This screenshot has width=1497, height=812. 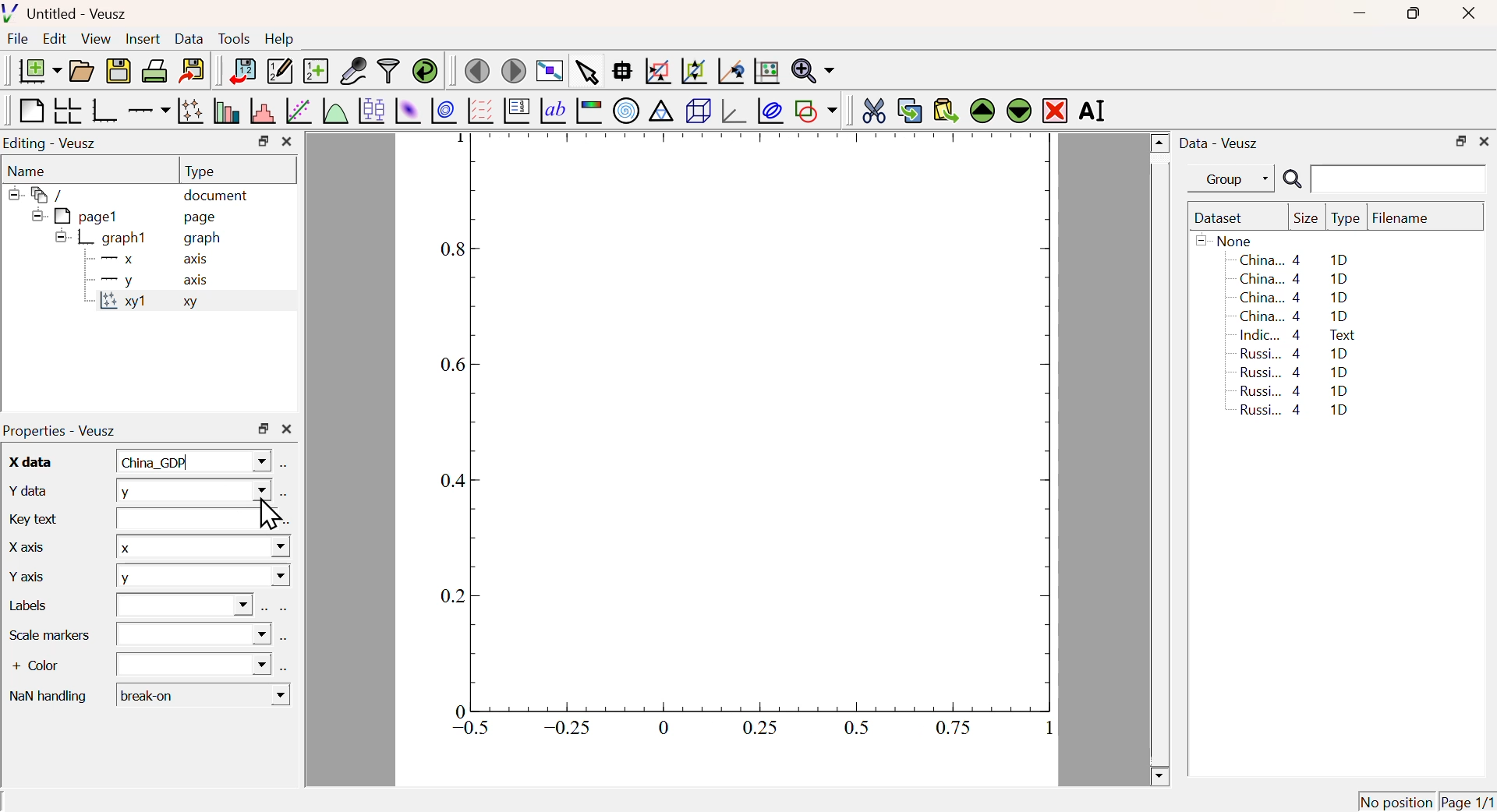 What do you see at coordinates (103, 110) in the screenshot?
I see `Base Graph` at bounding box center [103, 110].